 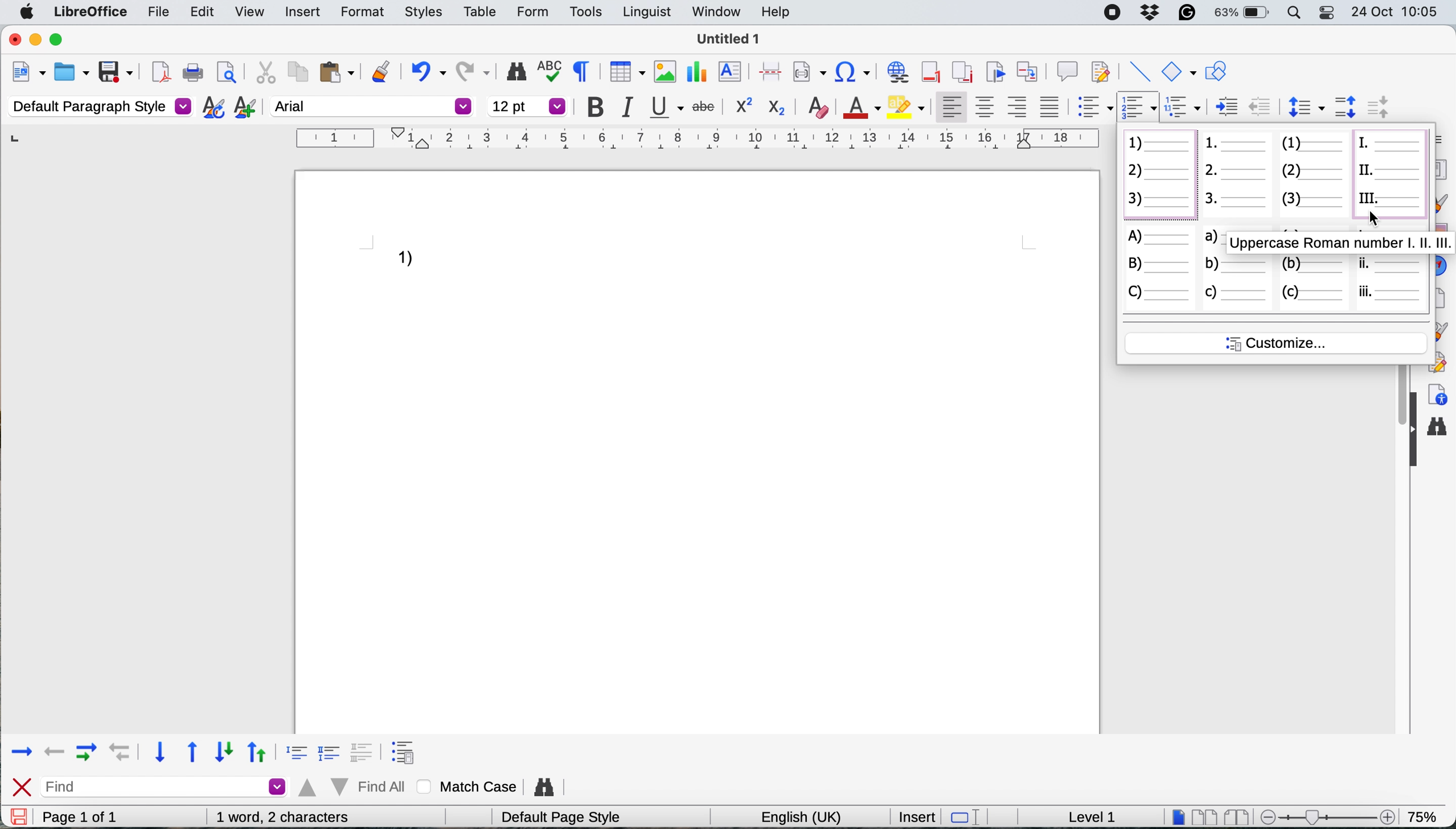 What do you see at coordinates (553, 71) in the screenshot?
I see `spelling` at bounding box center [553, 71].